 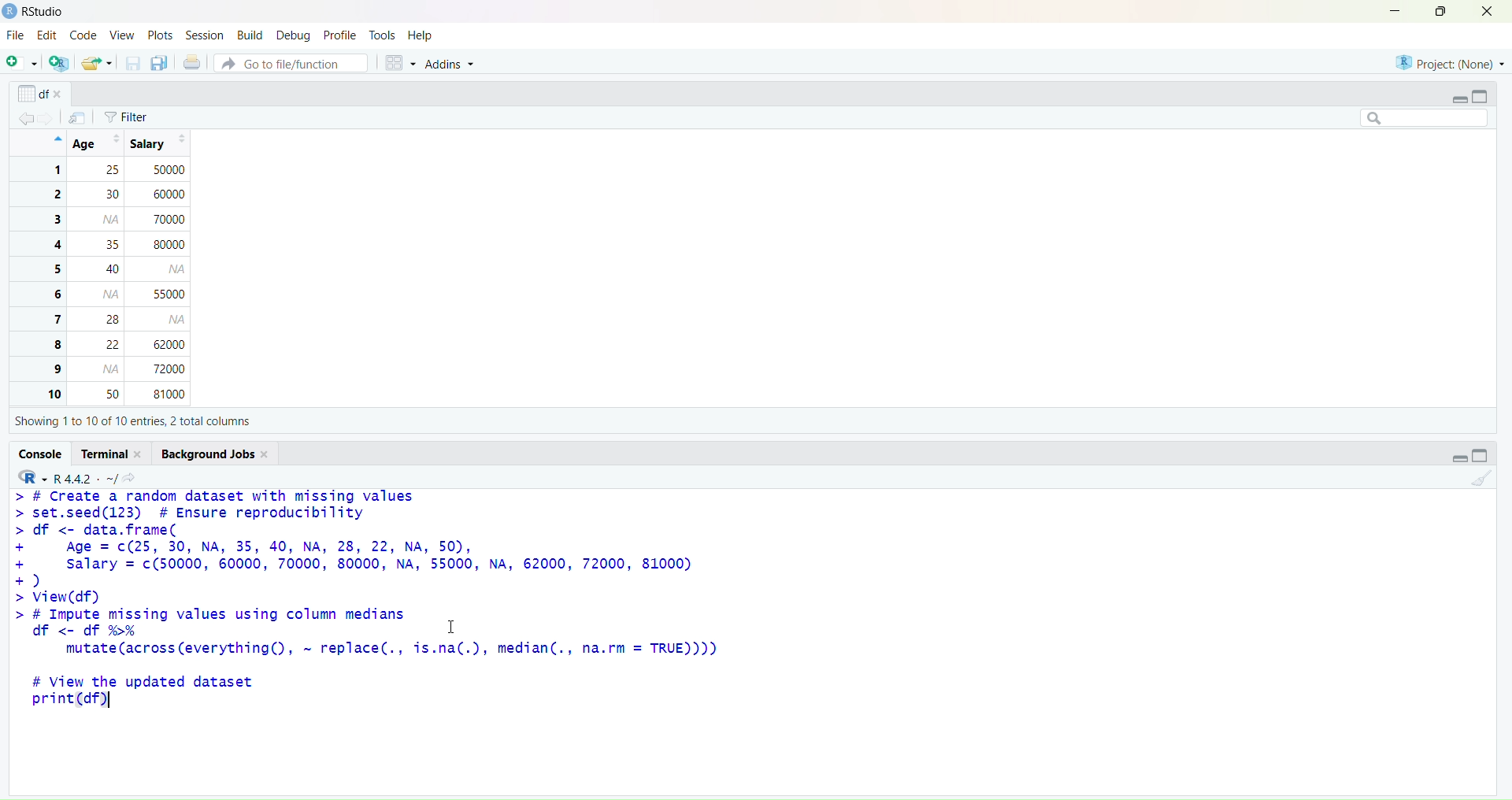 What do you see at coordinates (124, 268) in the screenshot?
I see `Age Salary
1 25 50000
2 30 60000
3 N 70000
4 35 80000
5 40 NA
6 NA 55000
7 28 NA
8 22 62000
9 N 72000
10 50 81000` at bounding box center [124, 268].